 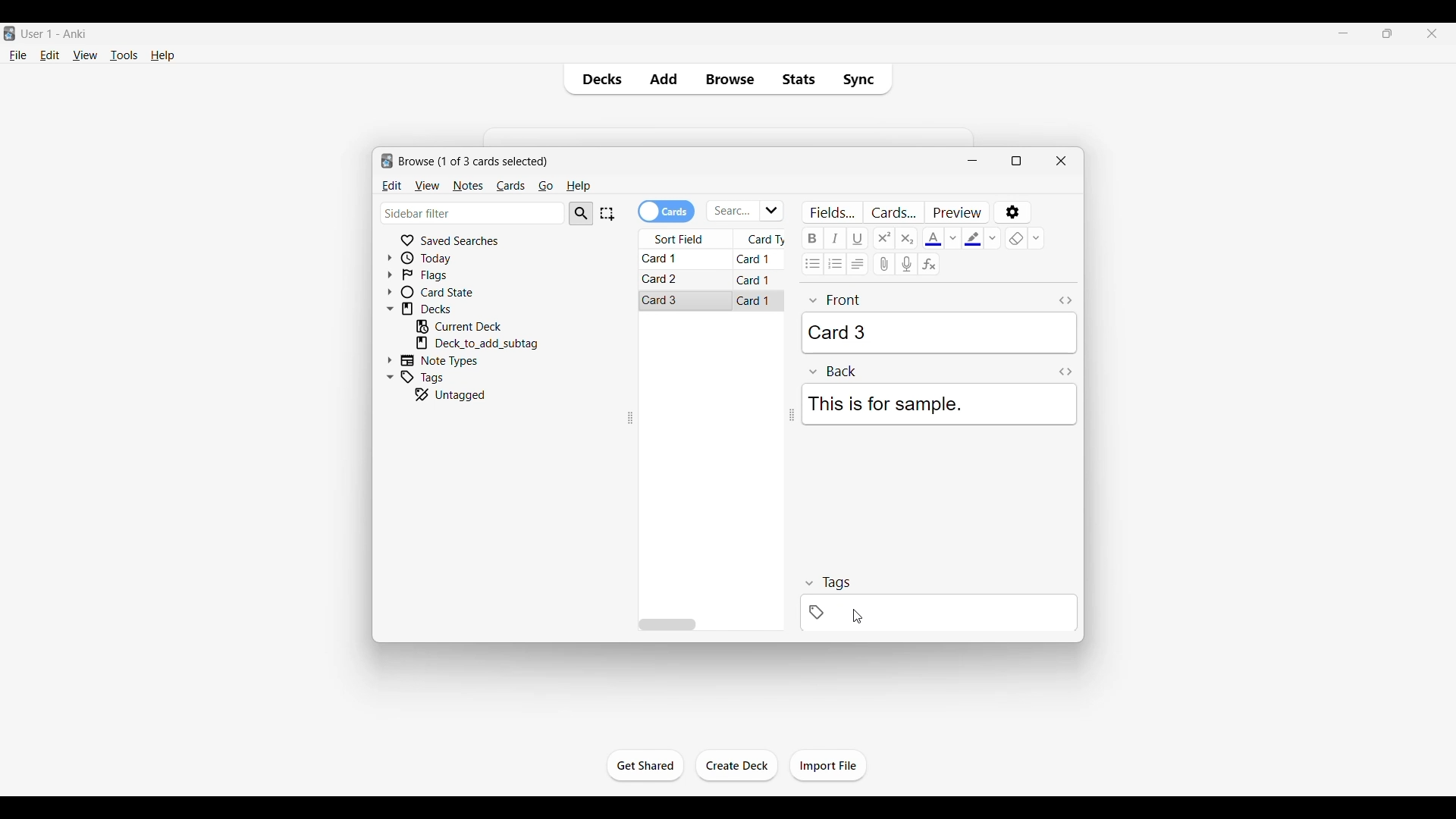 What do you see at coordinates (1016, 238) in the screenshot?
I see `eraser` at bounding box center [1016, 238].